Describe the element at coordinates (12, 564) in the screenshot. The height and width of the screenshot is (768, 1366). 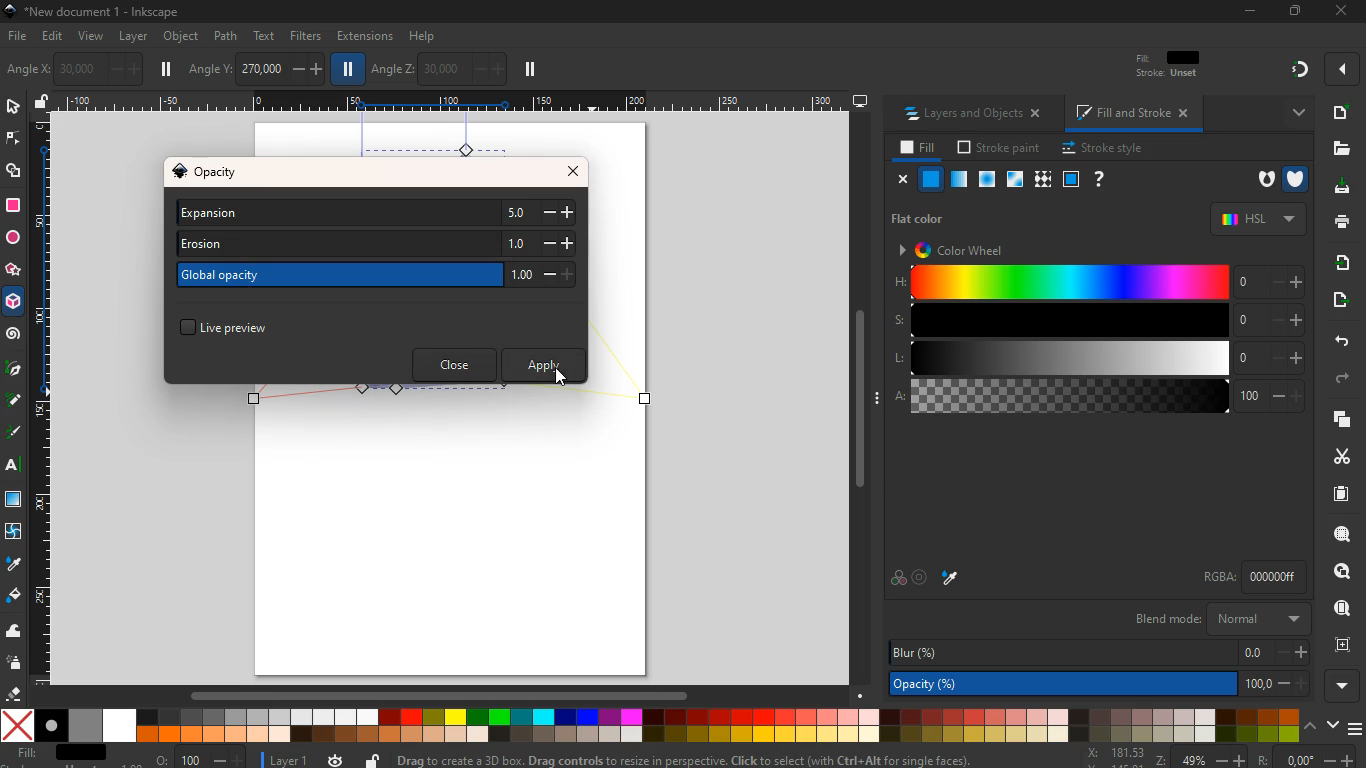
I see `drop` at that location.